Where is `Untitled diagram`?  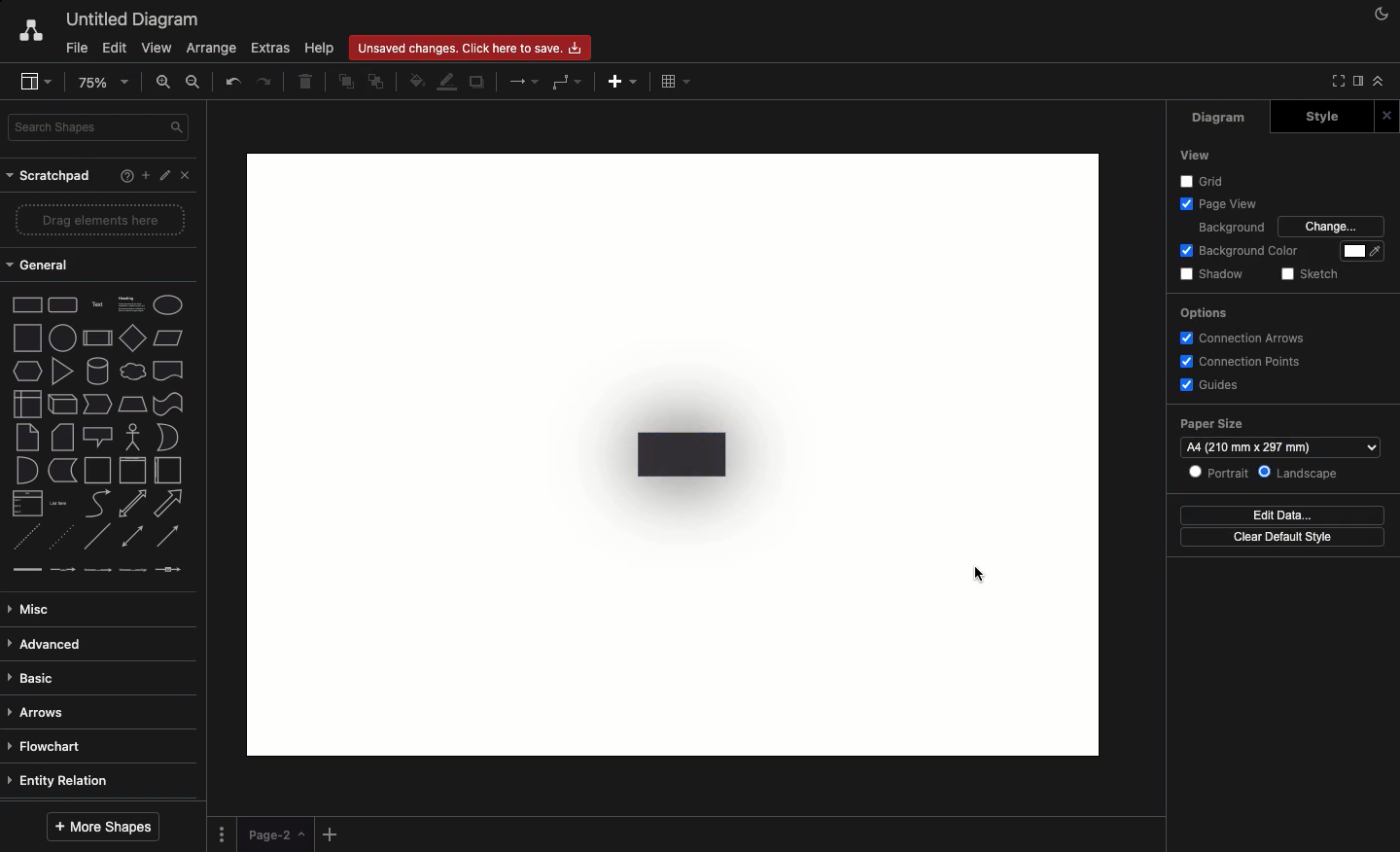 Untitled diagram is located at coordinates (131, 20).